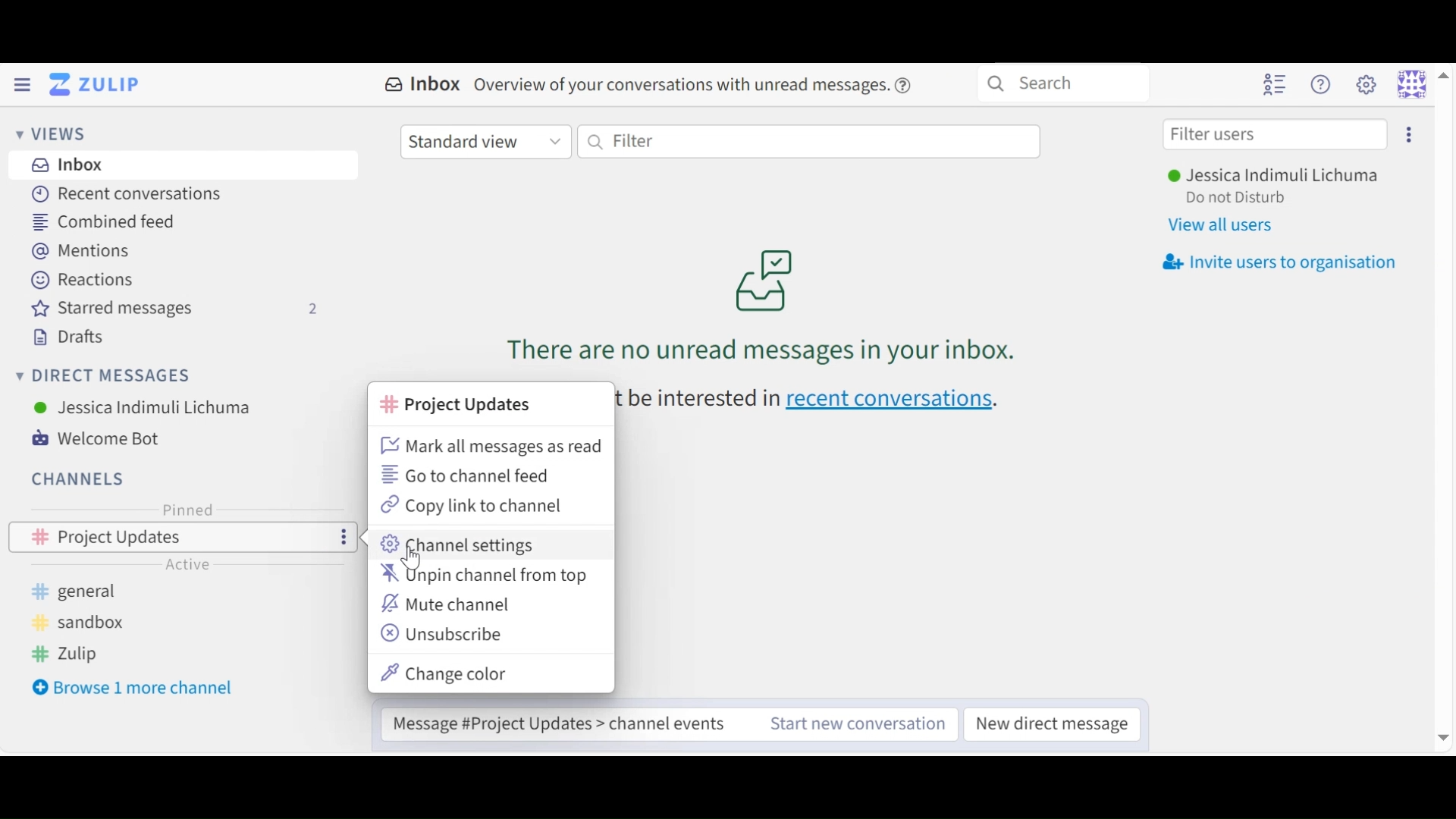  Describe the element at coordinates (22, 86) in the screenshot. I see `Hide Left Sidebar` at that location.